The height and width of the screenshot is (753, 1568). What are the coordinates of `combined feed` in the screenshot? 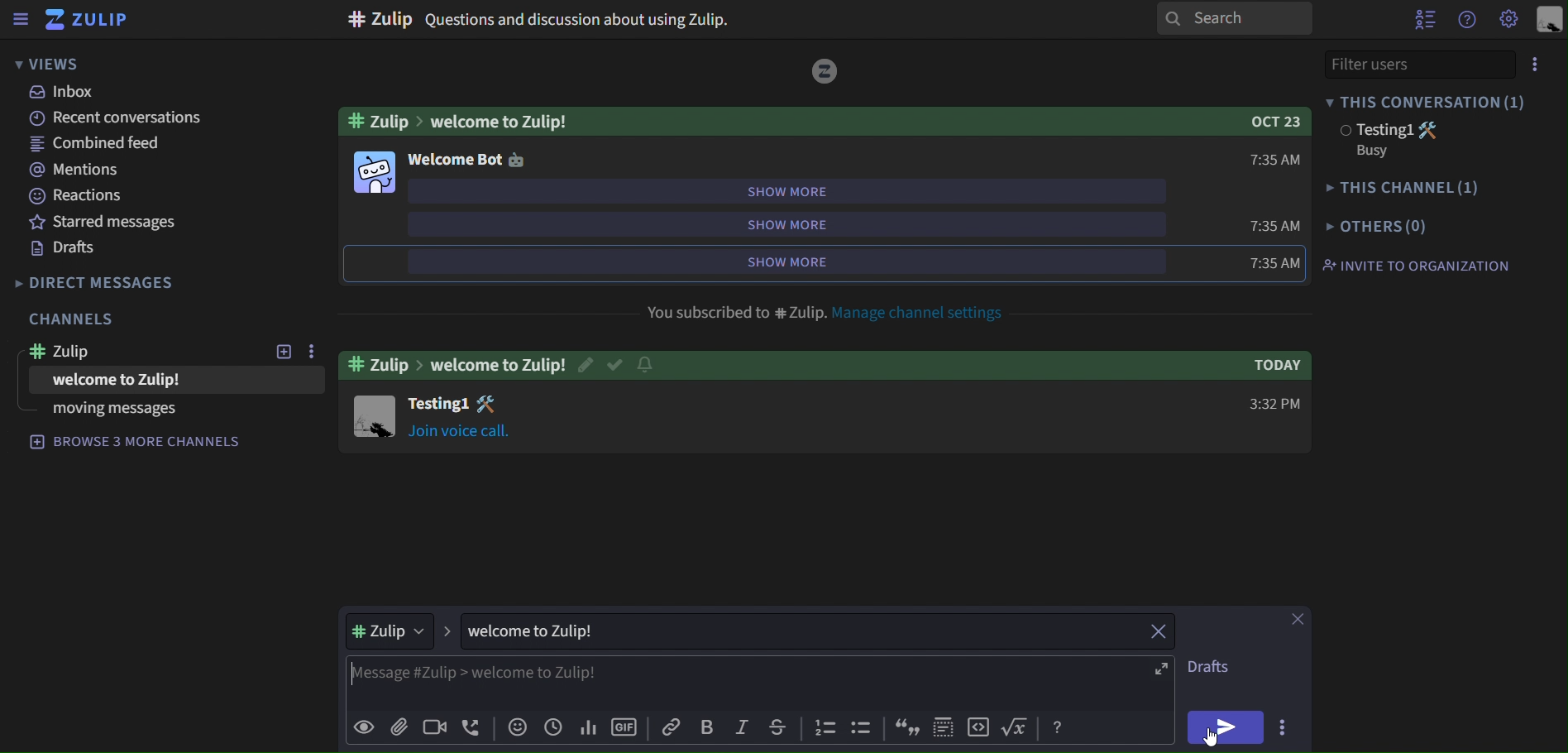 It's located at (98, 146).